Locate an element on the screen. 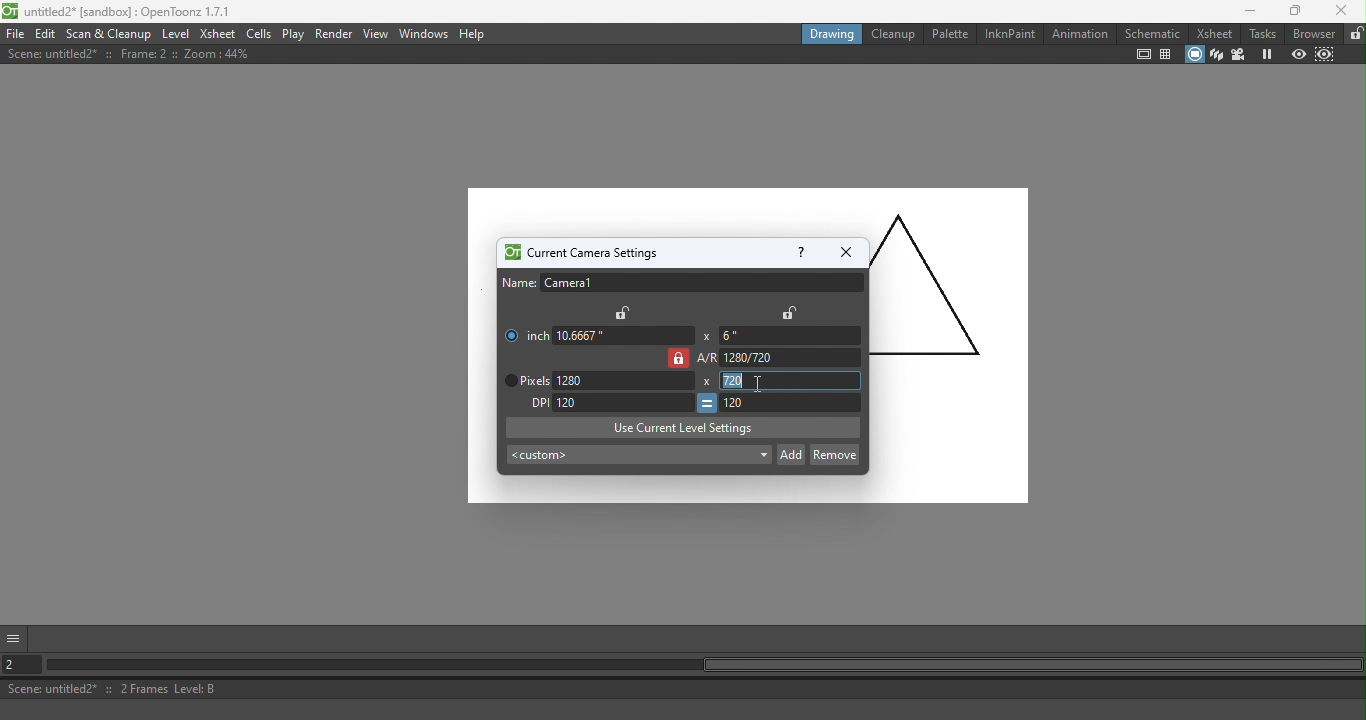 The image size is (1366, 720). Use current level settings is located at coordinates (683, 427).